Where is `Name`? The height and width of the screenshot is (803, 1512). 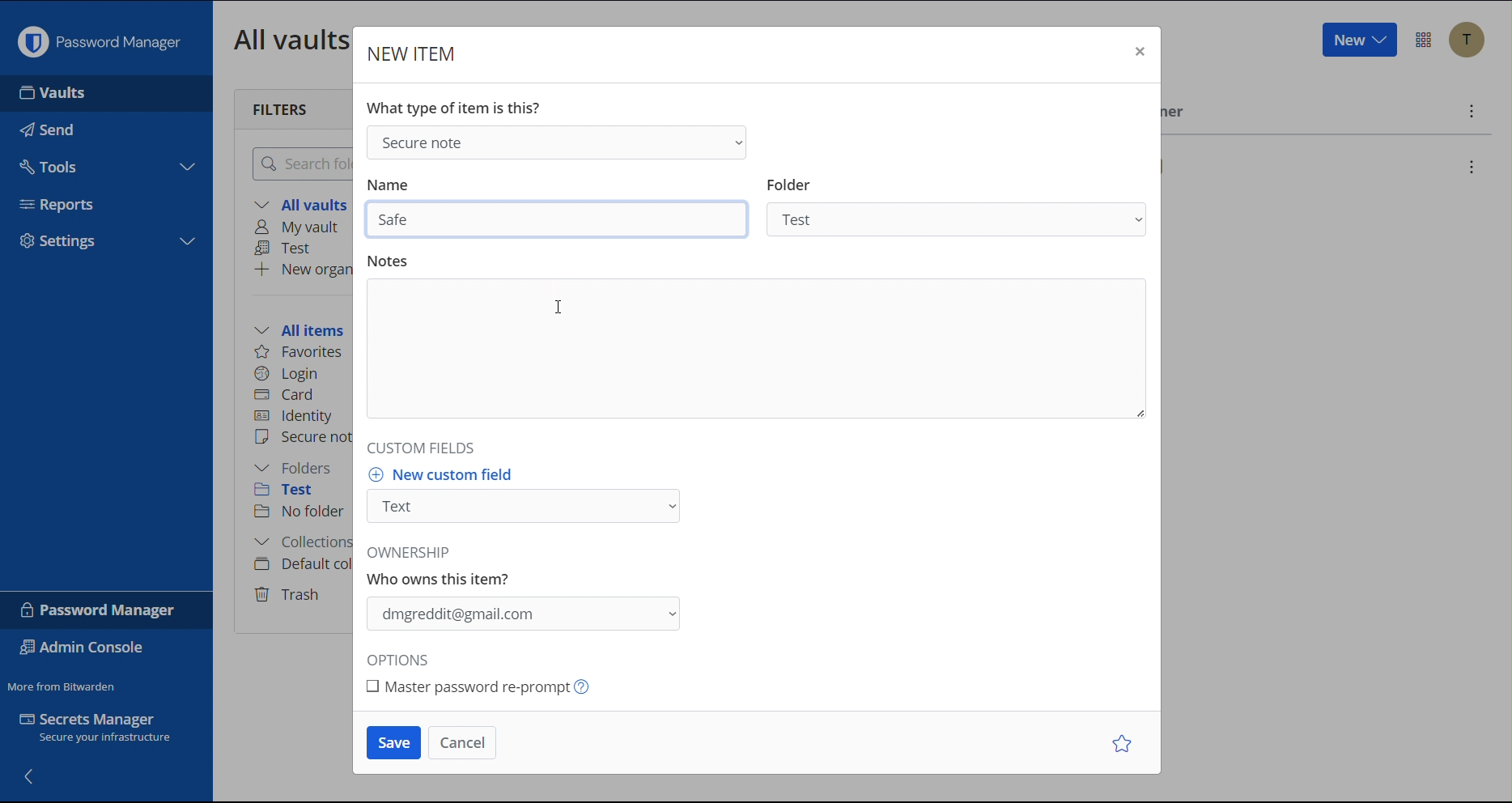 Name is located at coordinates (388, 185).